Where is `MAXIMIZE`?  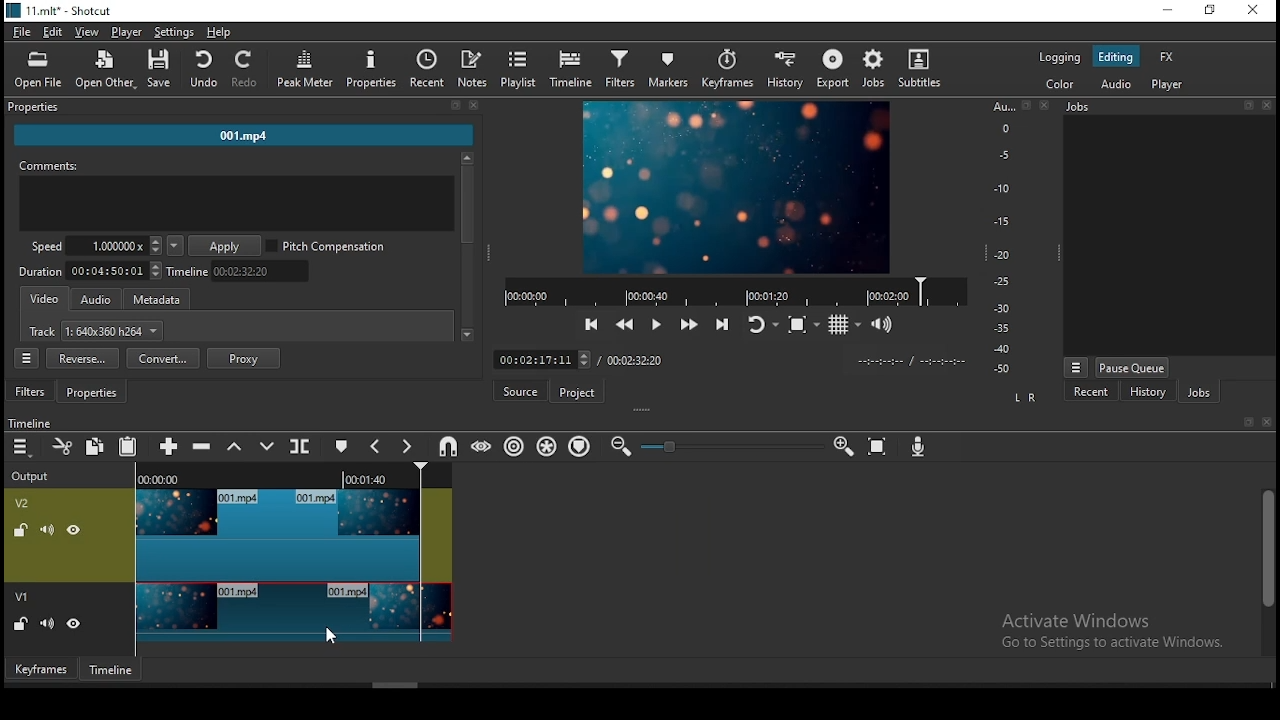 MAXIMIZE is located at coordinates (1245, 421).